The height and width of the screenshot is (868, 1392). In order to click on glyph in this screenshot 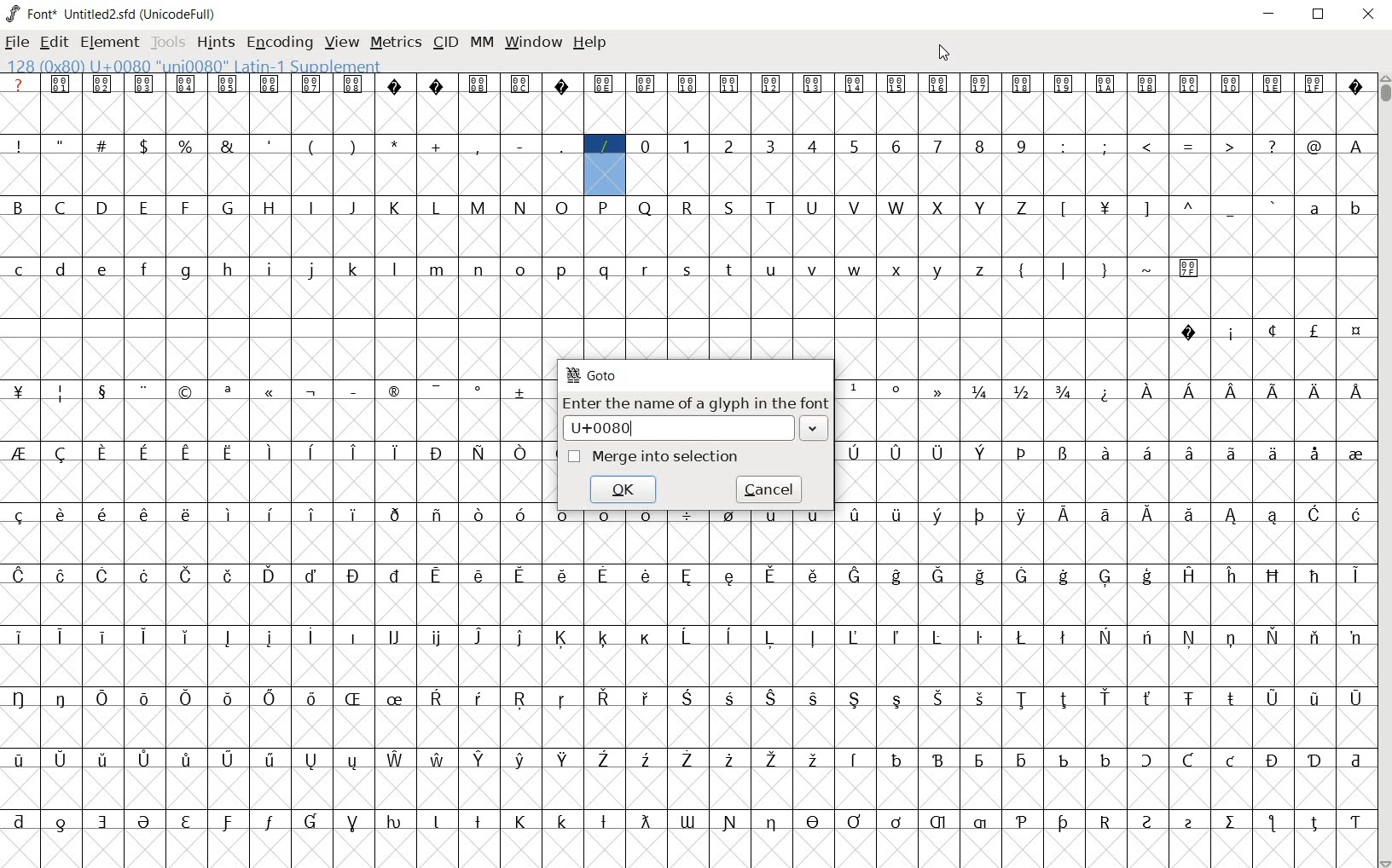, I will do `click(981, 453)`.